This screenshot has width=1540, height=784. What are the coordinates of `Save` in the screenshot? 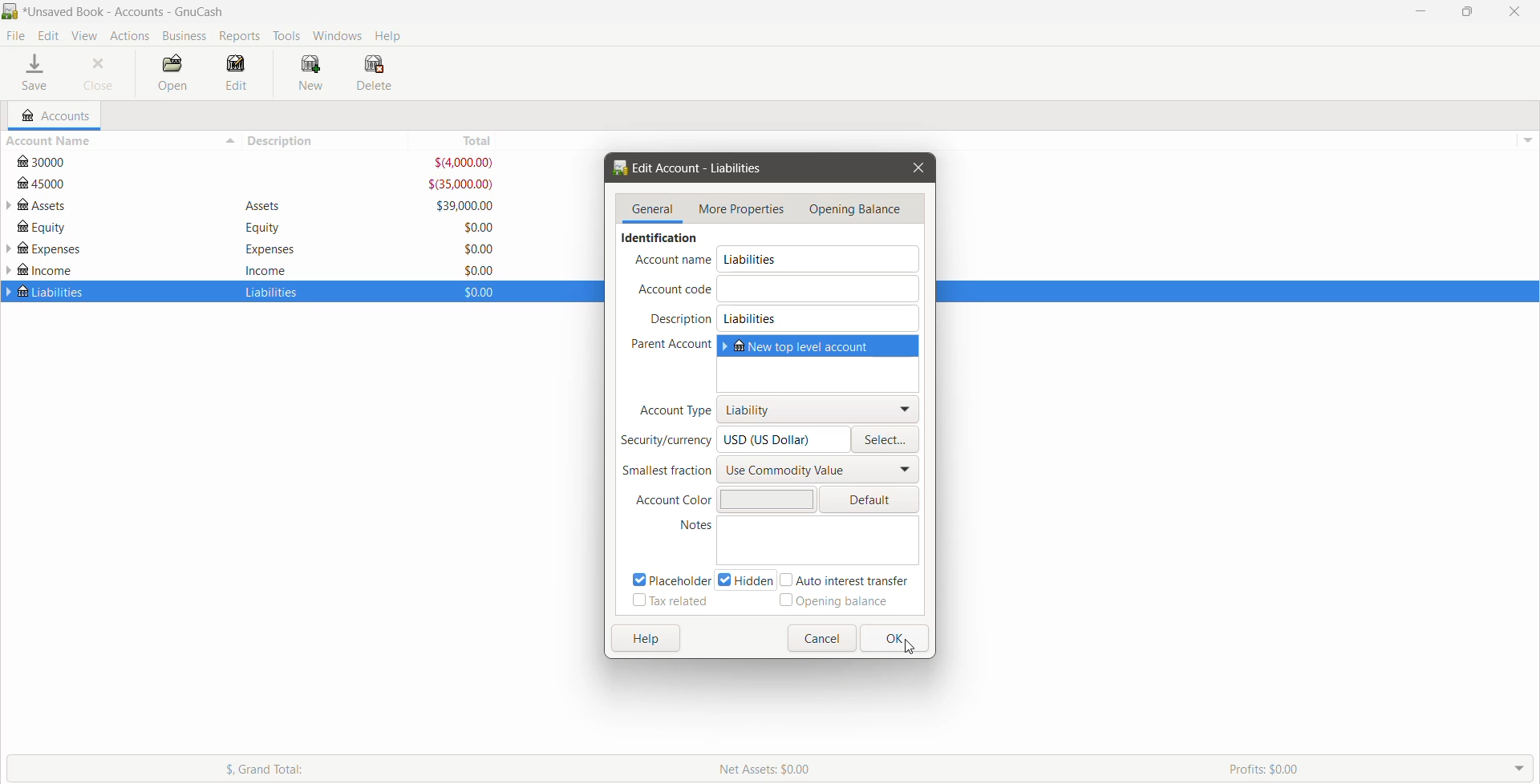 It's located at (37, 74).